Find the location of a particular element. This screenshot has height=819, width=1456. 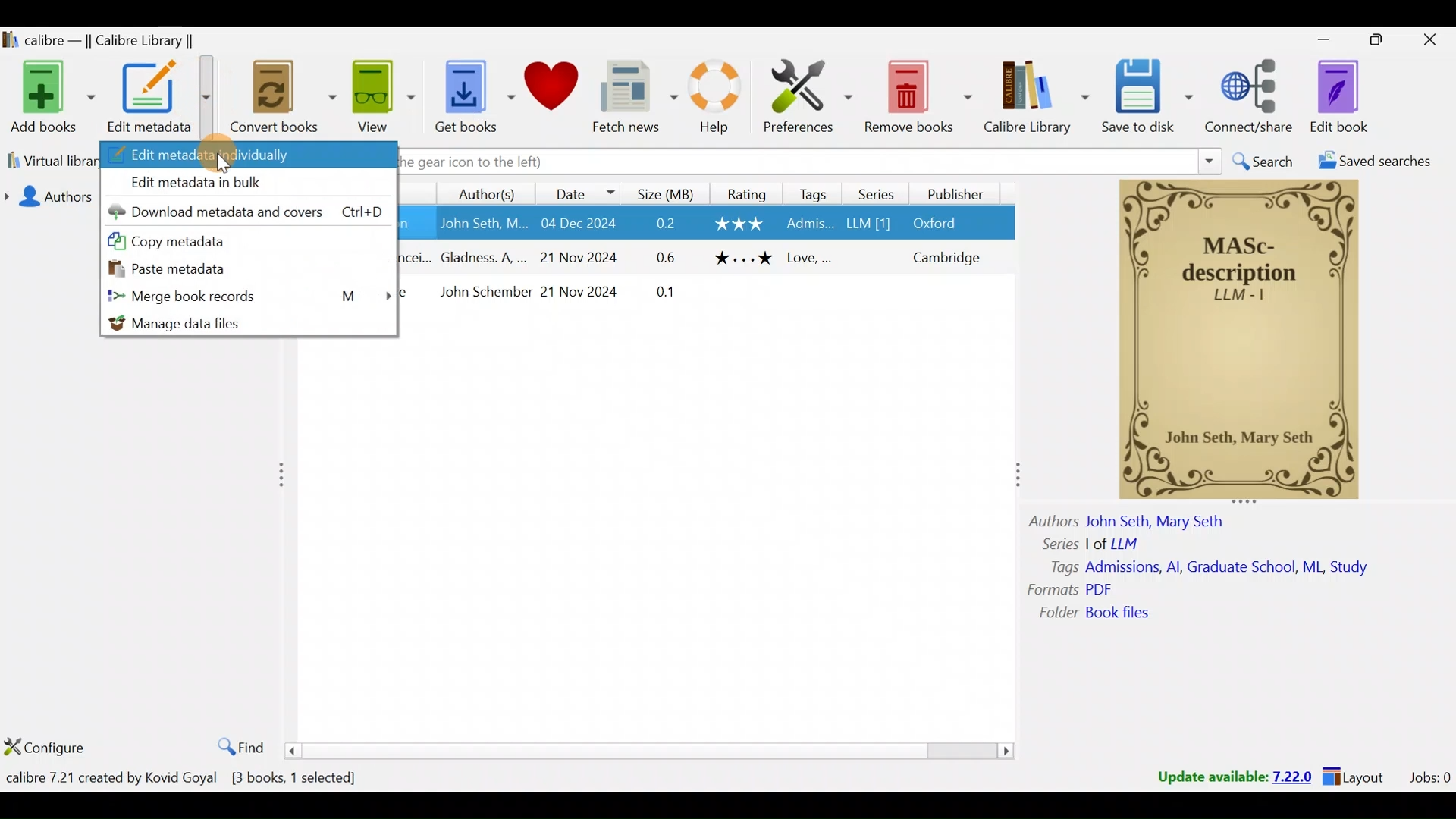

Convert books is located at coordinates (284, 98).